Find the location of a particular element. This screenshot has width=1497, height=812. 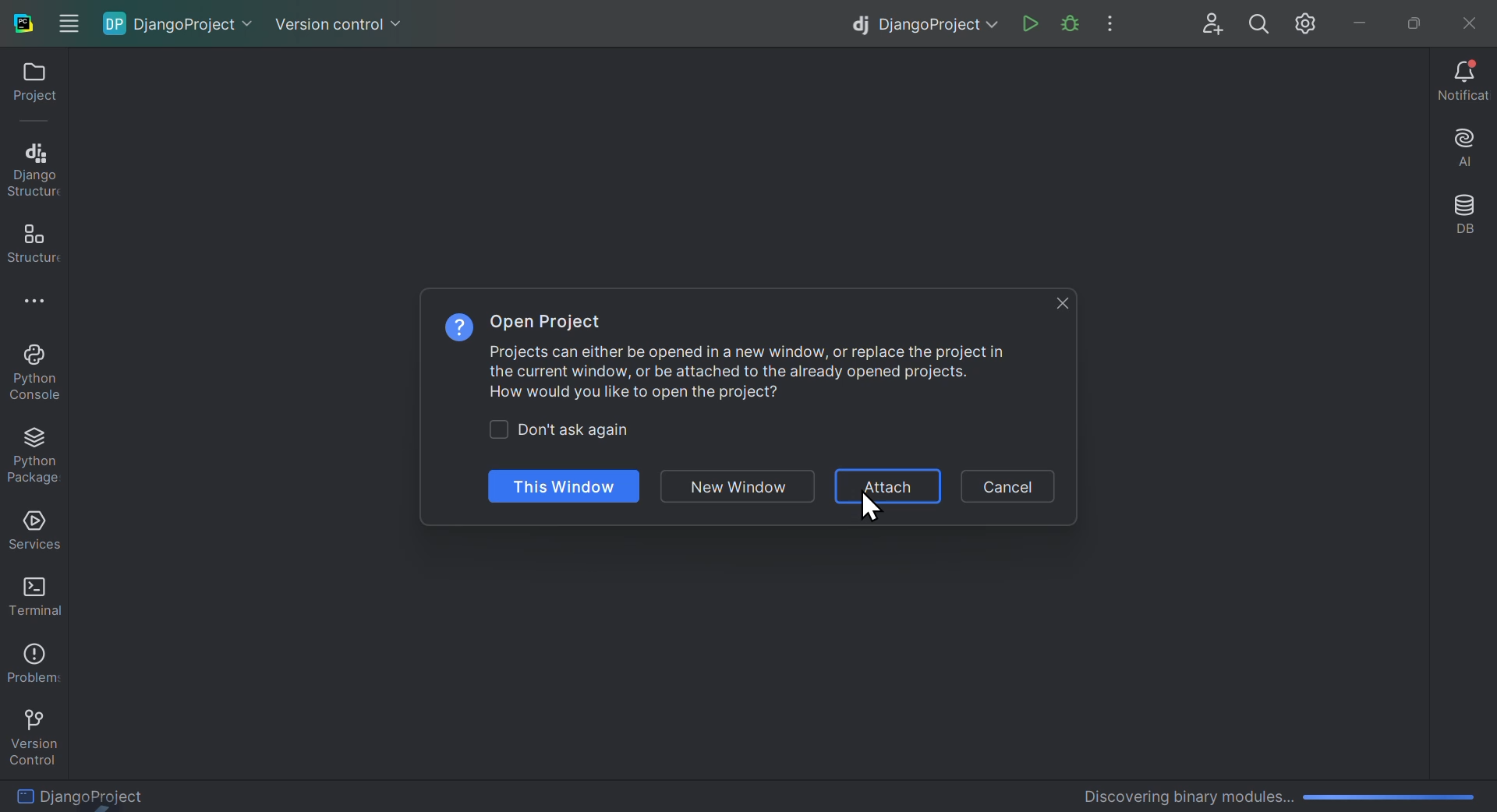

Discovering Binary Modules is located at coordinates (1272, 793).